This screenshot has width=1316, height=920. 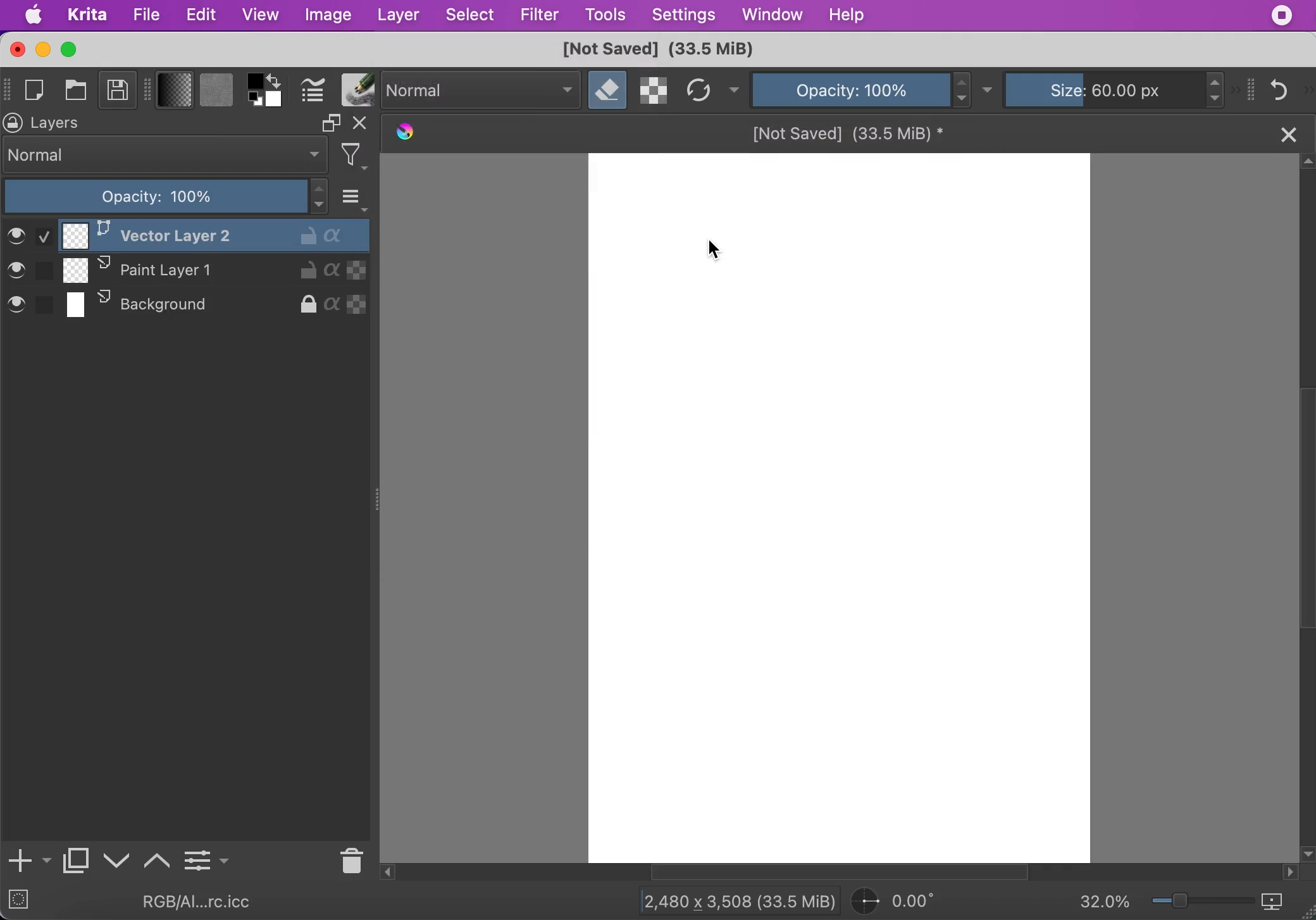 I want to click on preserve alpha, so click(x=655, y=90).